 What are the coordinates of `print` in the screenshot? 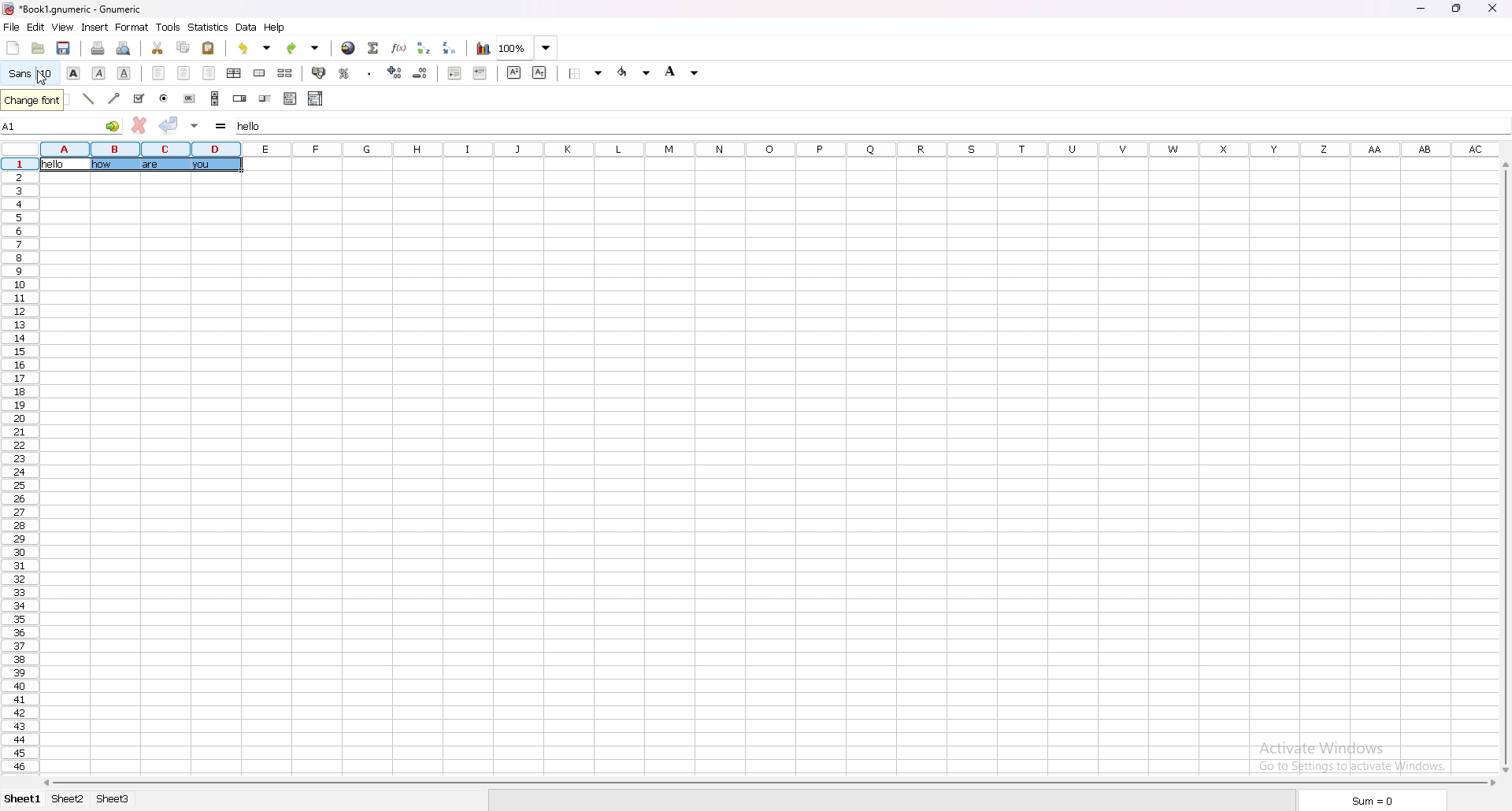 It's located at (100, 47).